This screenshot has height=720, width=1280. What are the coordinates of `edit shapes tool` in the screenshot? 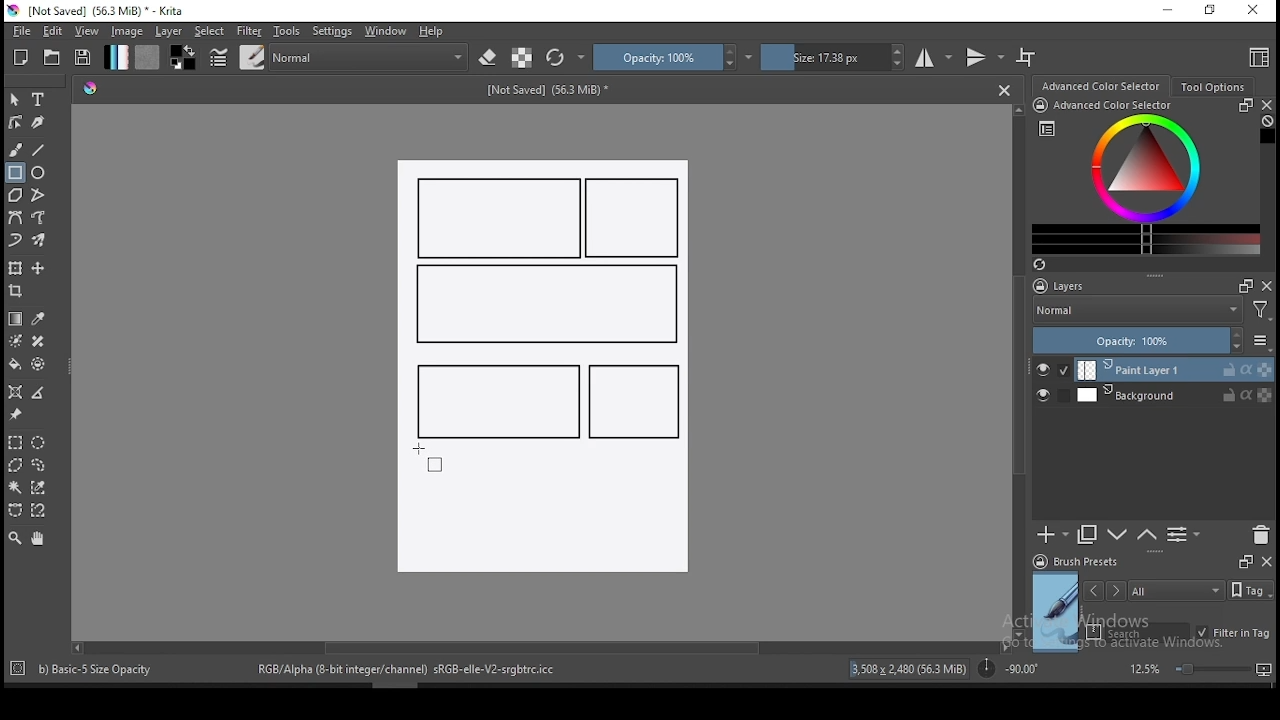 It's located at (15, 121).